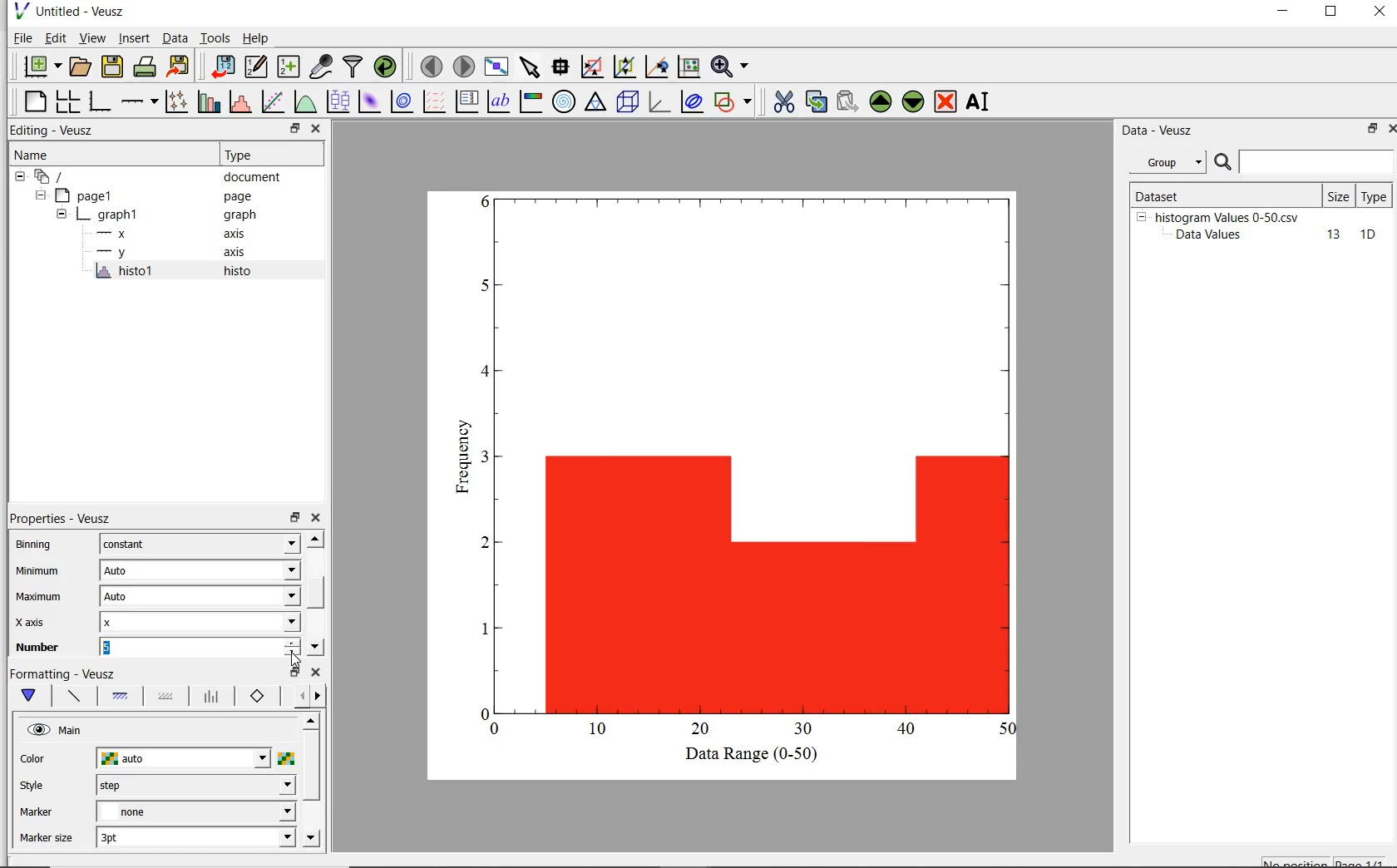 The image size is (1397, 868). I want to click on polar graph, so click(564, 101).